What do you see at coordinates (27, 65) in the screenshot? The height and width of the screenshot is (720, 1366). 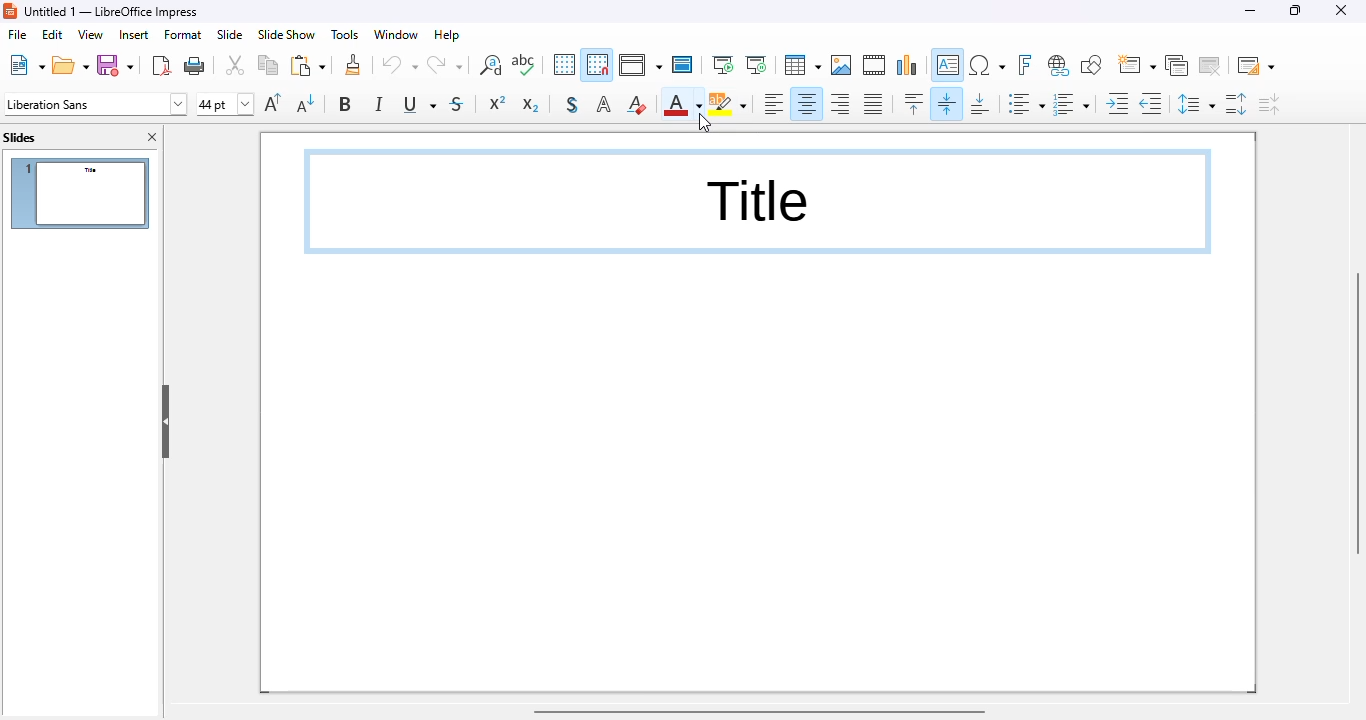 I see `new` at bounding box center [27, 65].